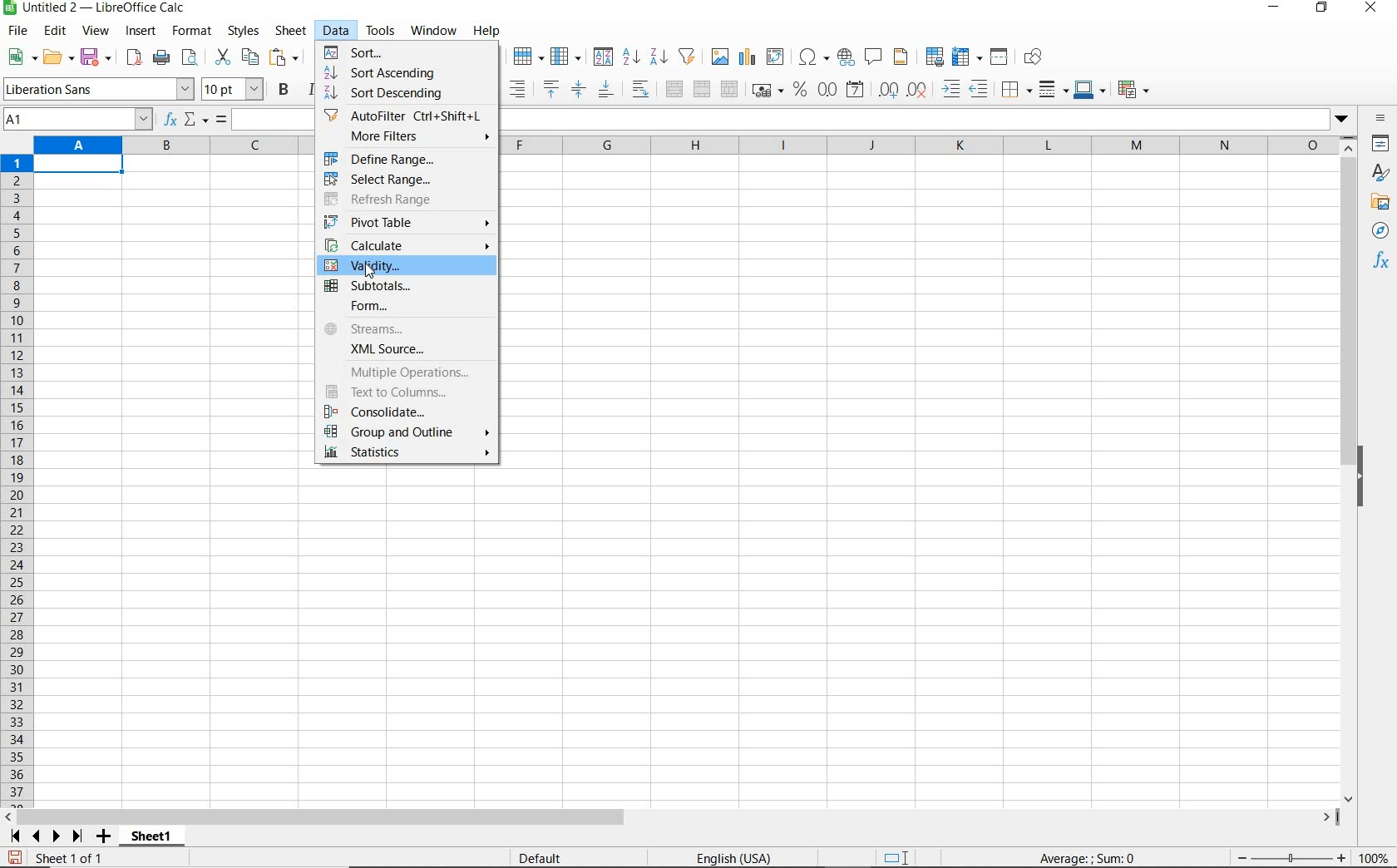 This screenshot has height=868, width=1397. I want to click on add decimal place, so click(889, 91).